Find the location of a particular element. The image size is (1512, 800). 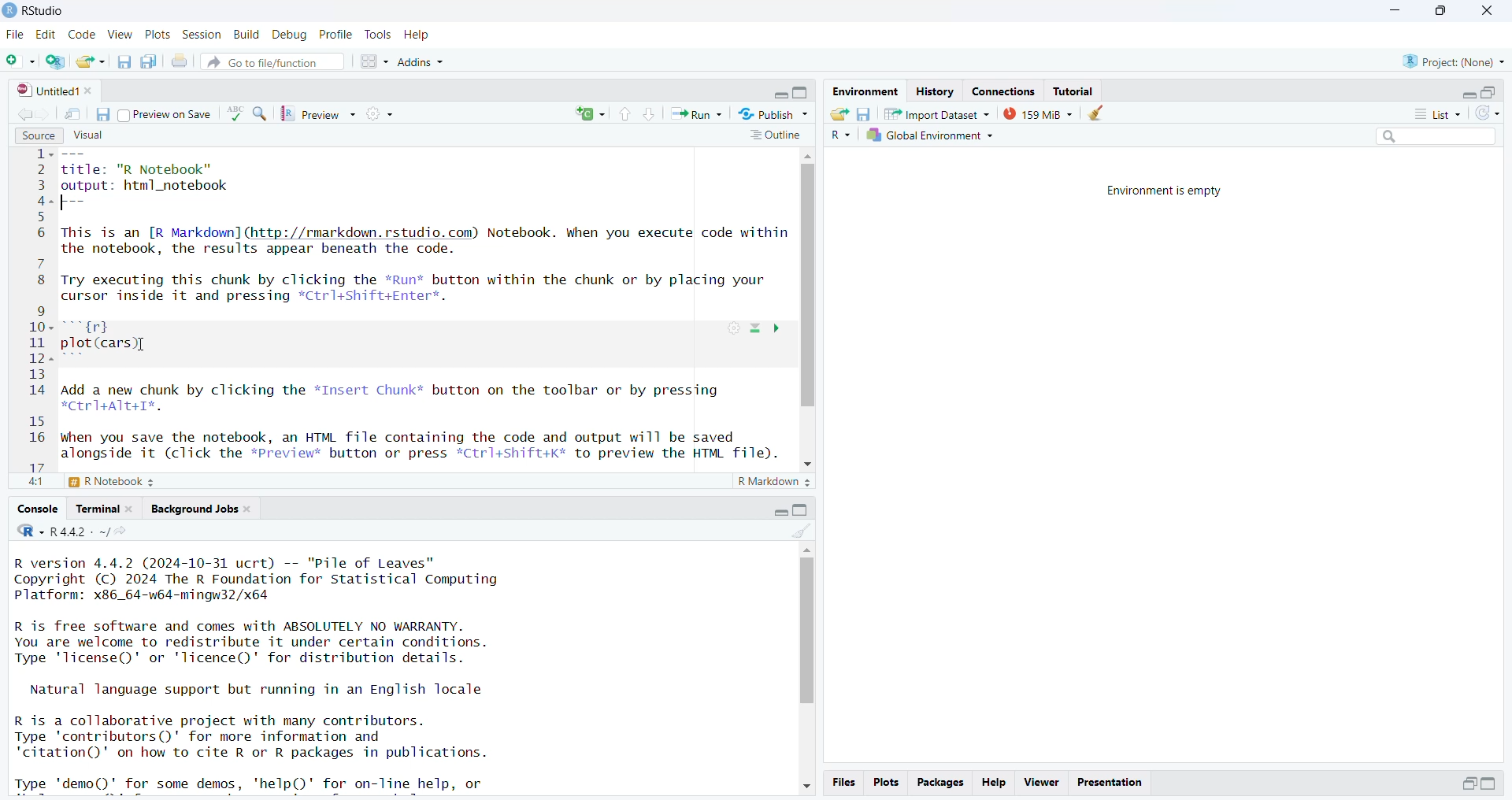

plots is located at coordinates (159, 35).